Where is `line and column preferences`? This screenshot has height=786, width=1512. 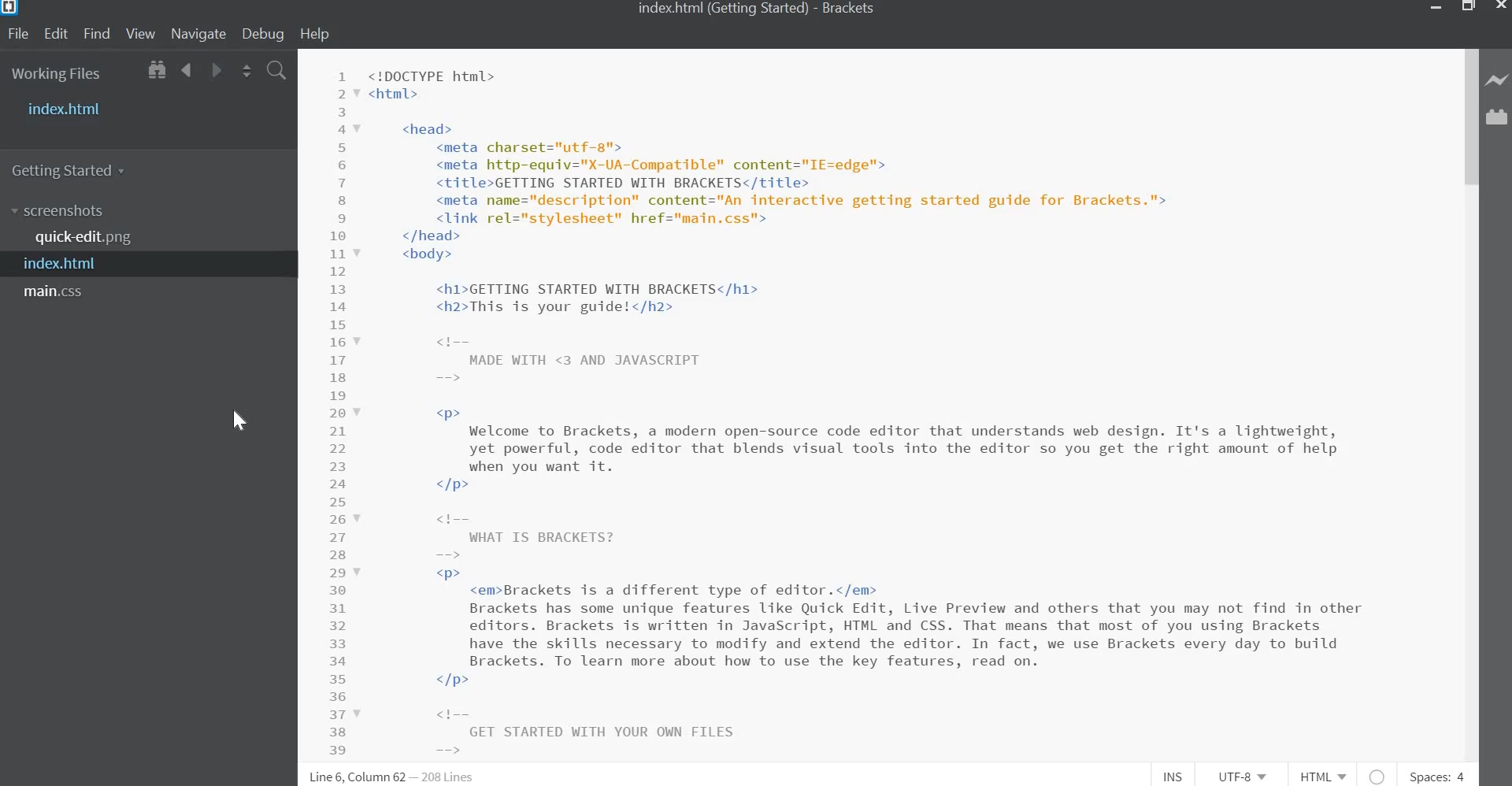 line and column preferences is located at coordinates (358, 777).